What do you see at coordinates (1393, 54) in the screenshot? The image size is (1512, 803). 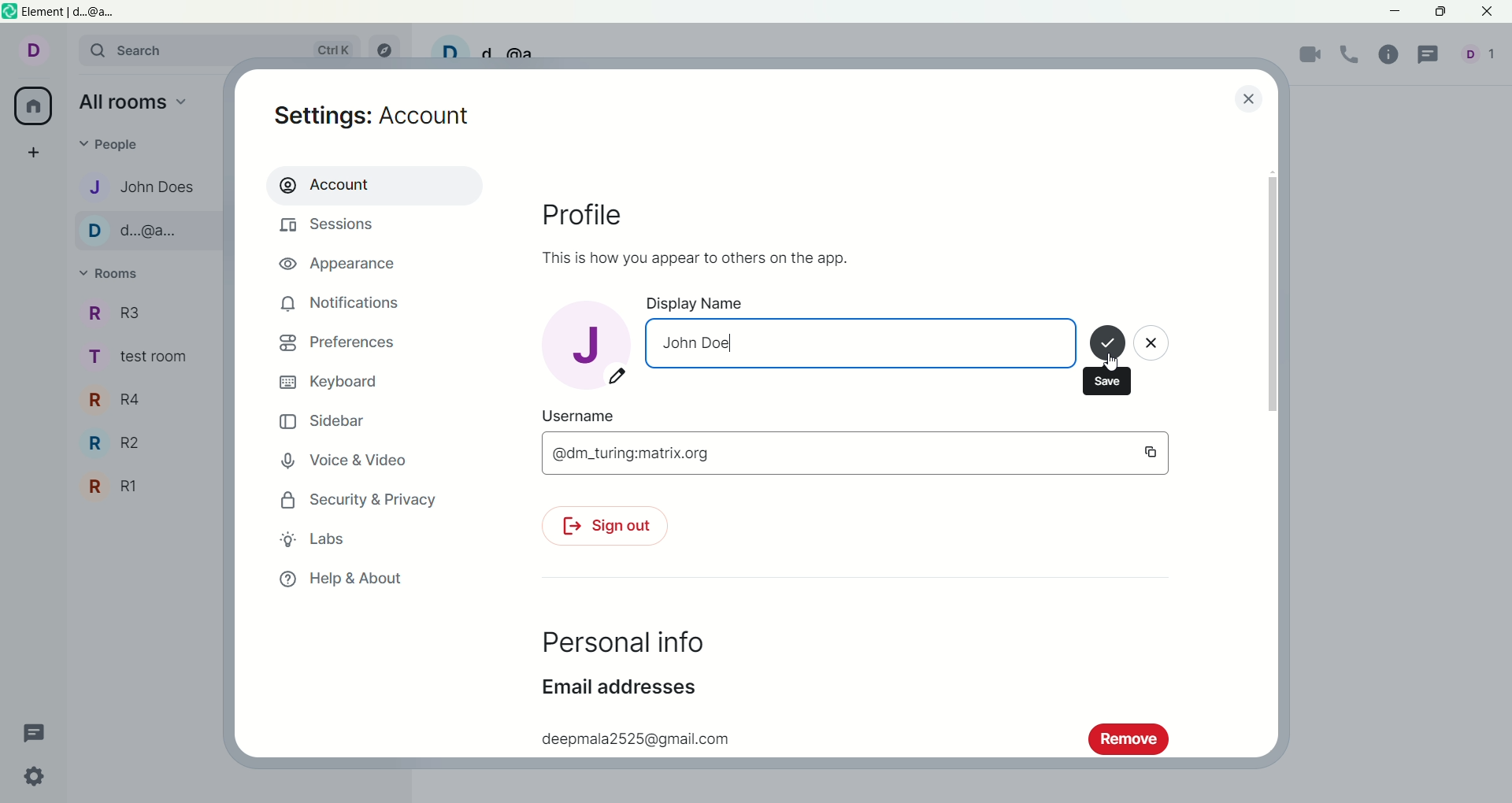 I see `room info` at bounding box center [1393, 54].